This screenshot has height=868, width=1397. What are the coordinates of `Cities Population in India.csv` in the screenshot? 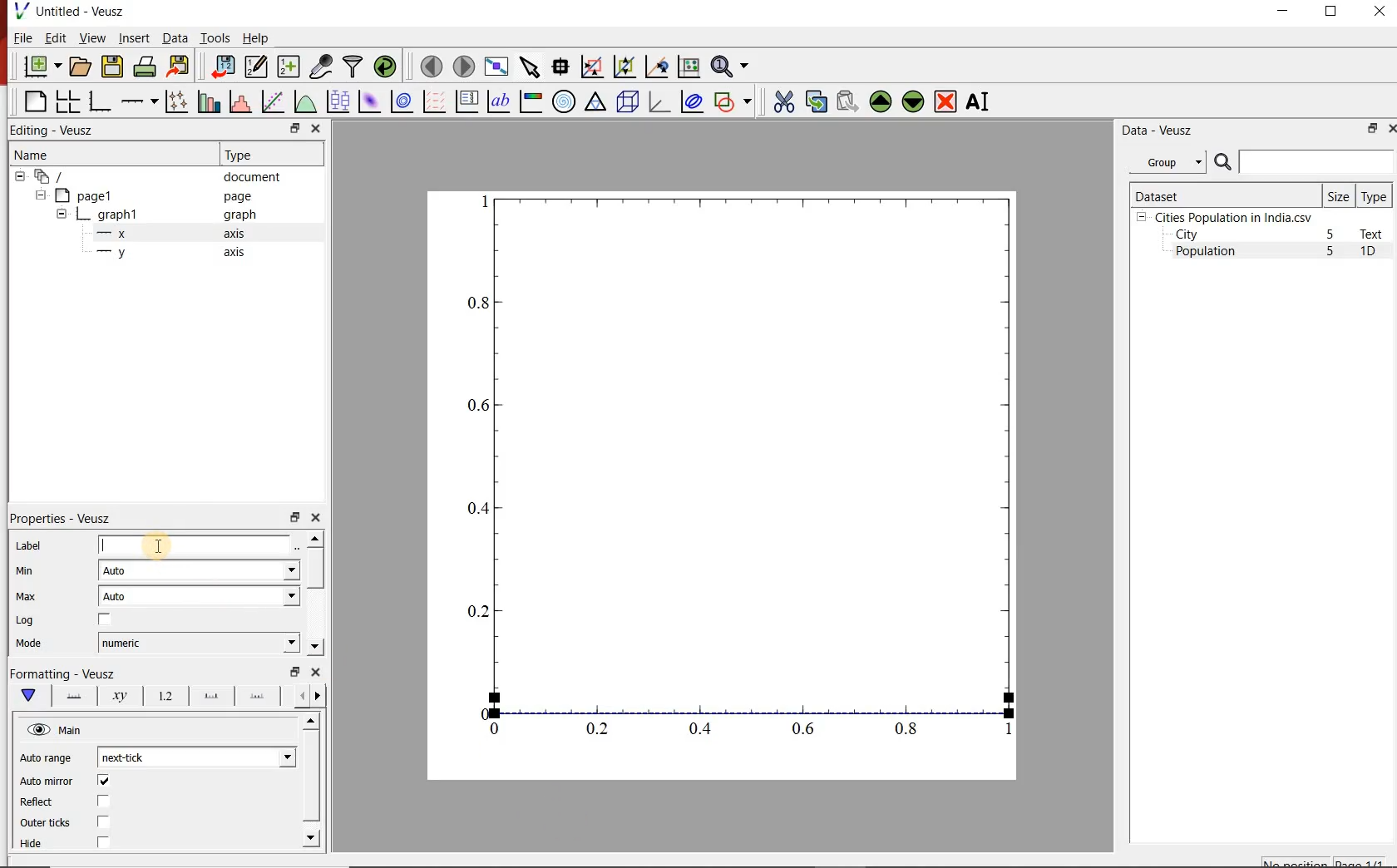 It's located at (1232, 217).